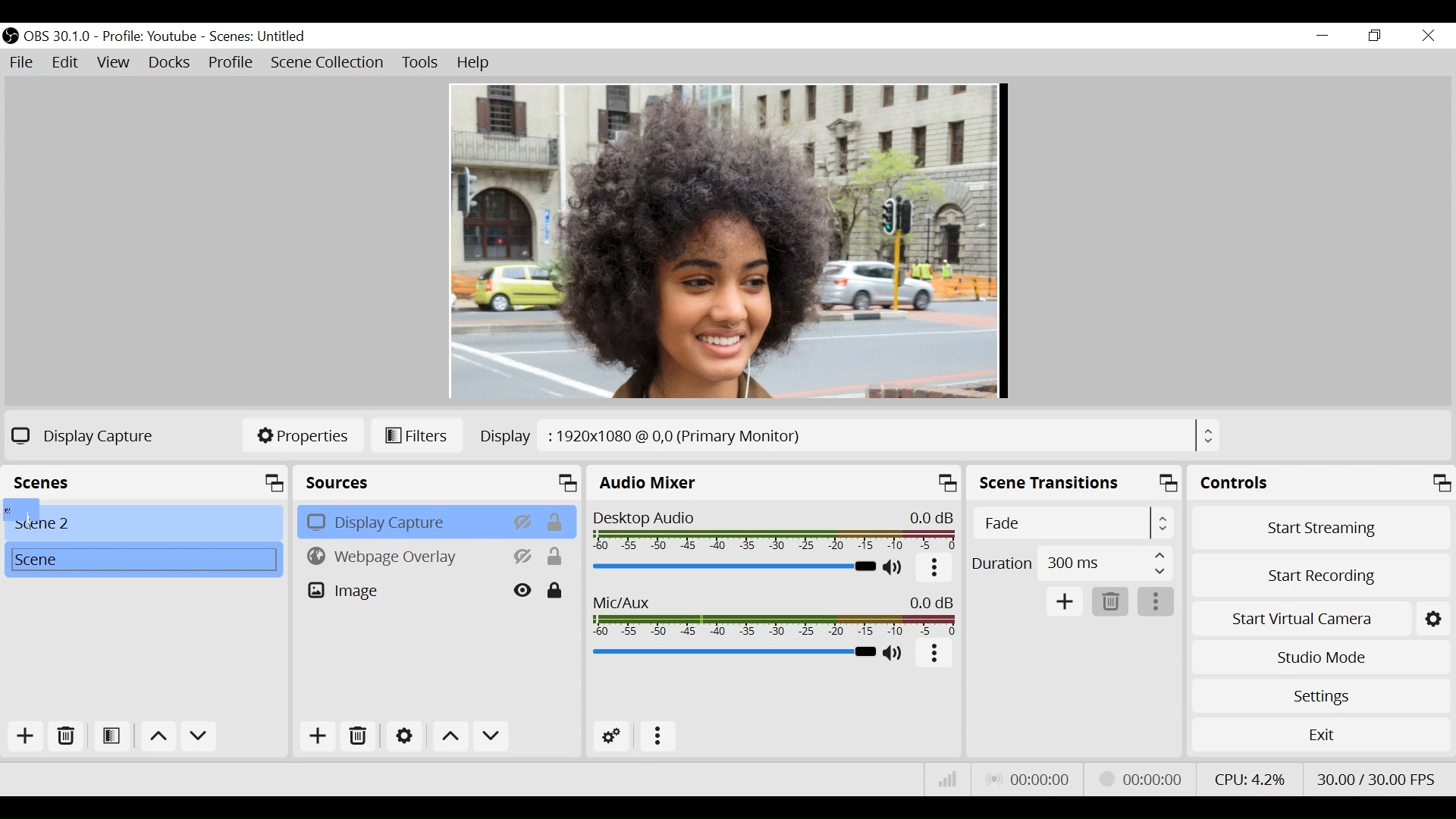 The height and width of the screenshot is (819, 1456). Describe the element at coordinates (935, 653) in the screenshot. I see `more options` at that location.